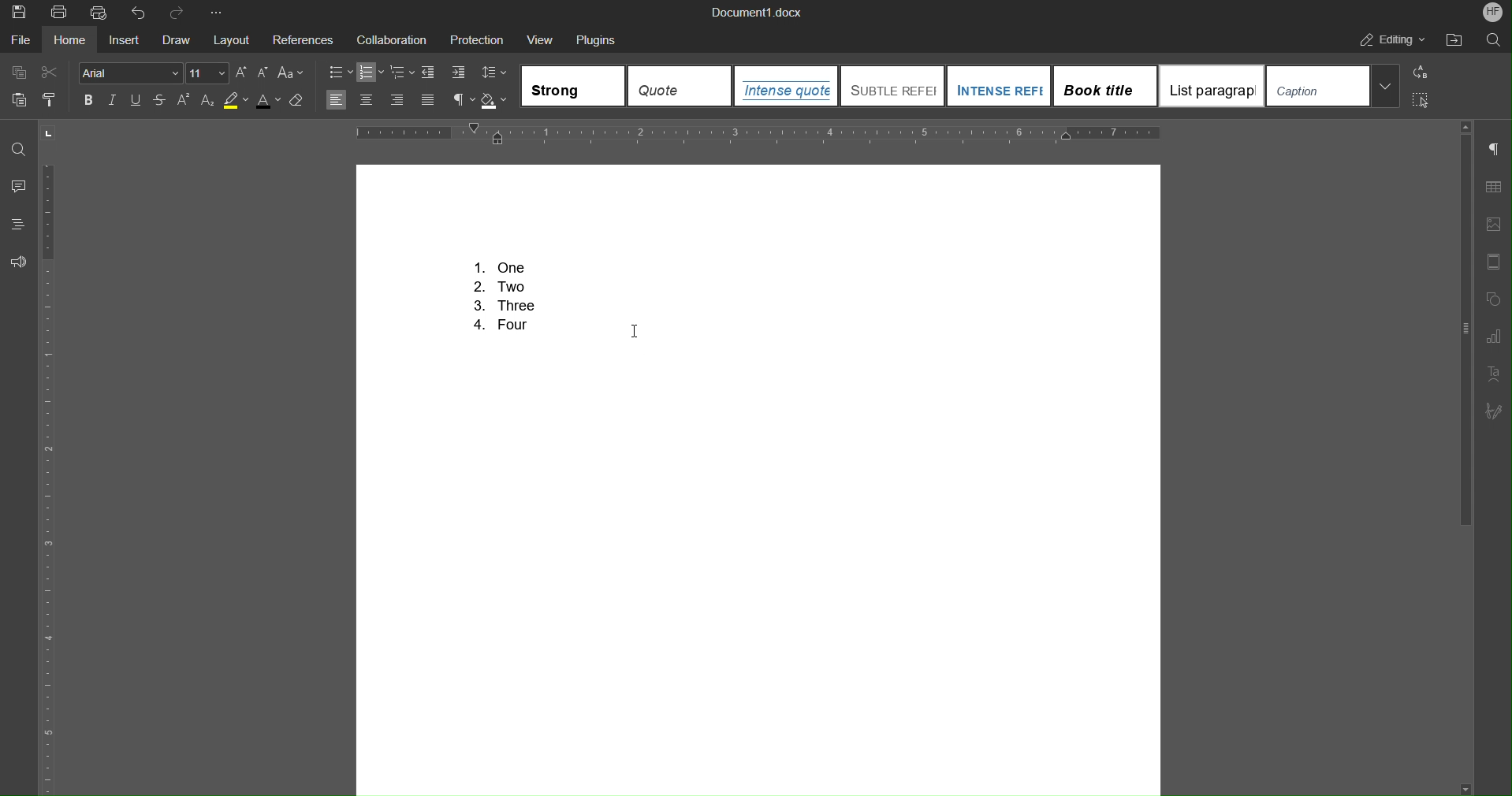  What do you see at coordinates (261, 74) in the screenshot?
I see `Decrease Size` at bounding box center [261, 74].